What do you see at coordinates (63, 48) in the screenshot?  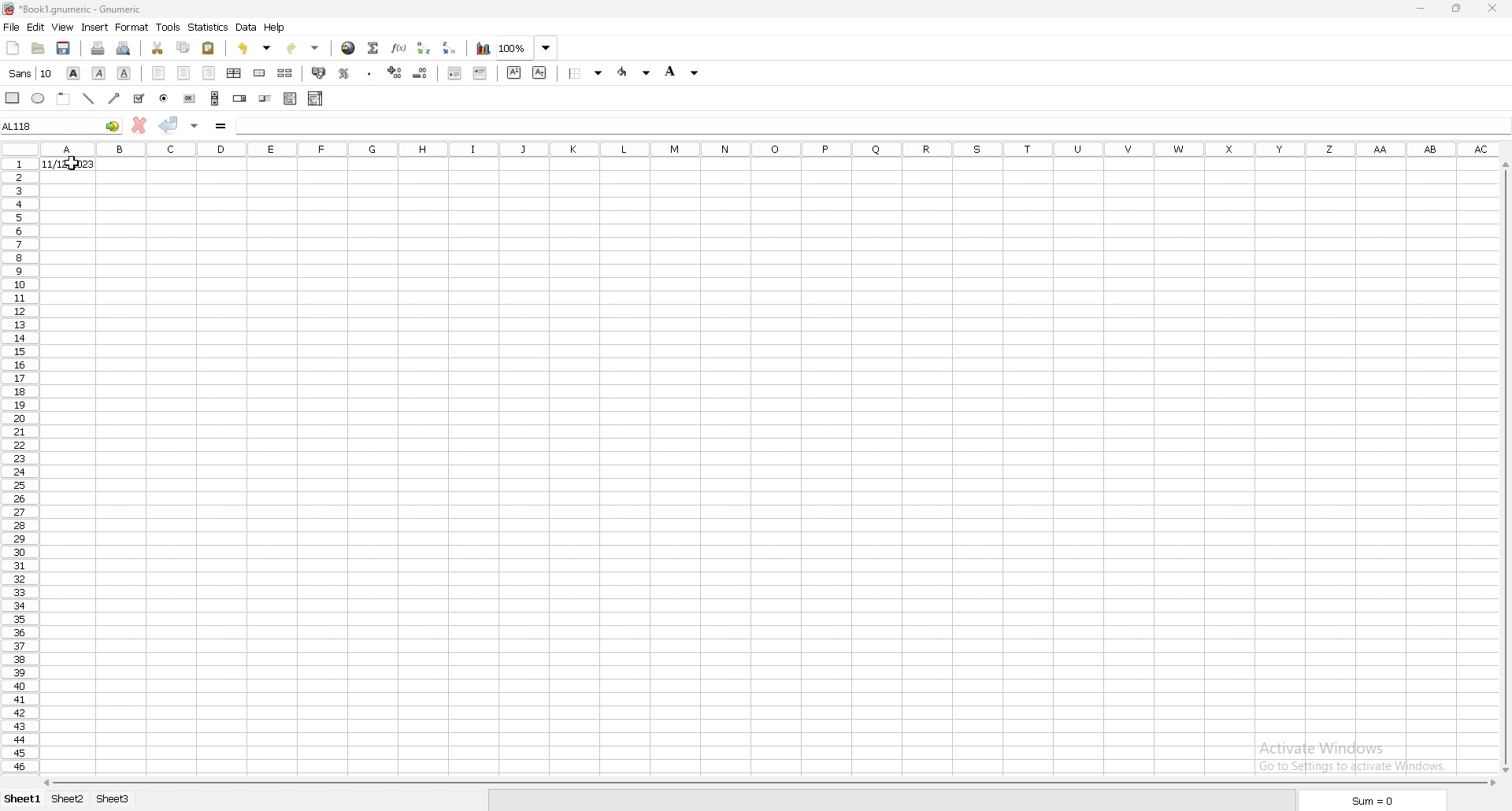 I see `save` at bounding box center [63, 48].